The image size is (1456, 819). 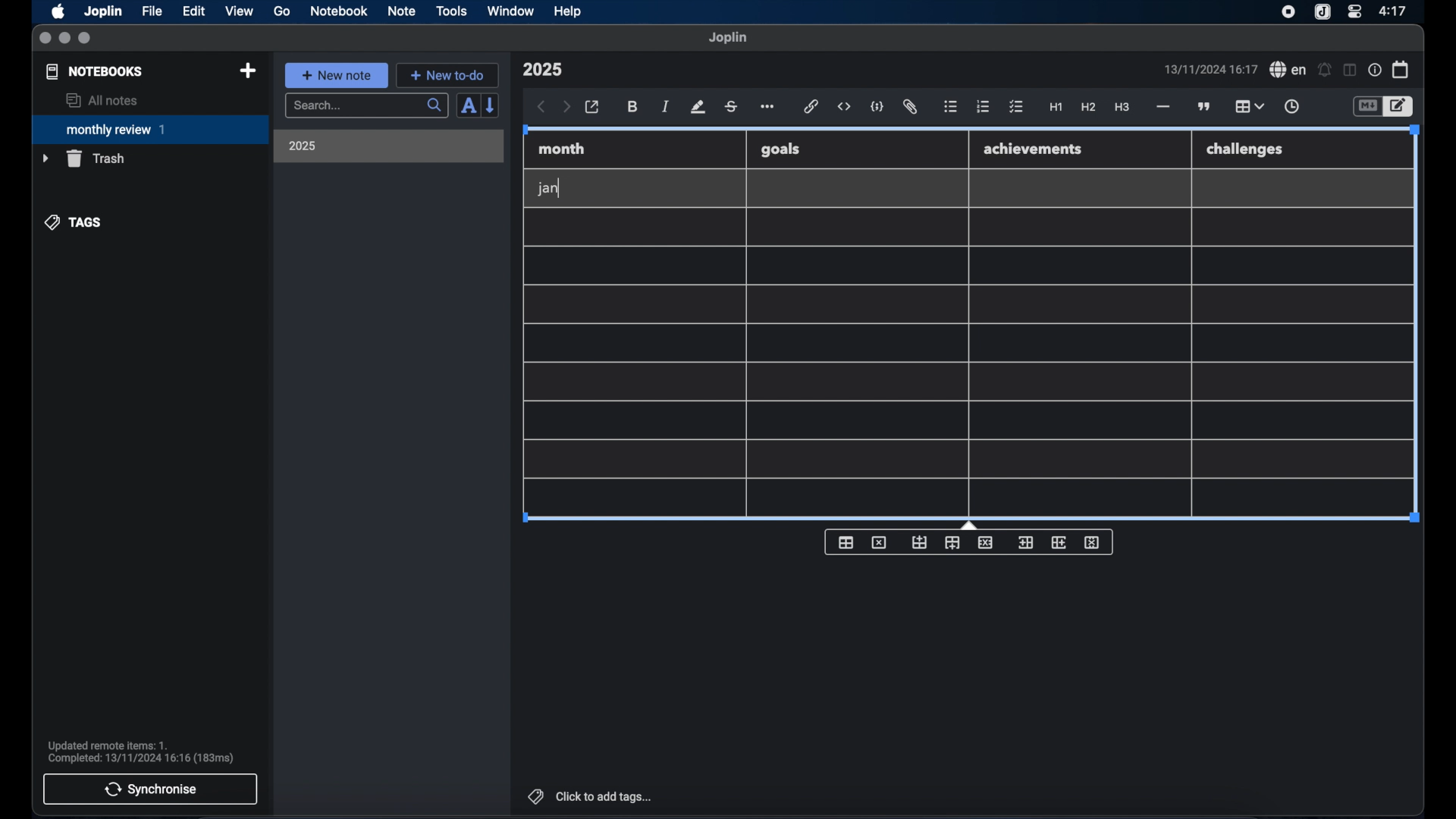 What do you see at coordinates (1089, 108) in the screenshot?
I see `heading 2` at bounding box center [1089, 108].